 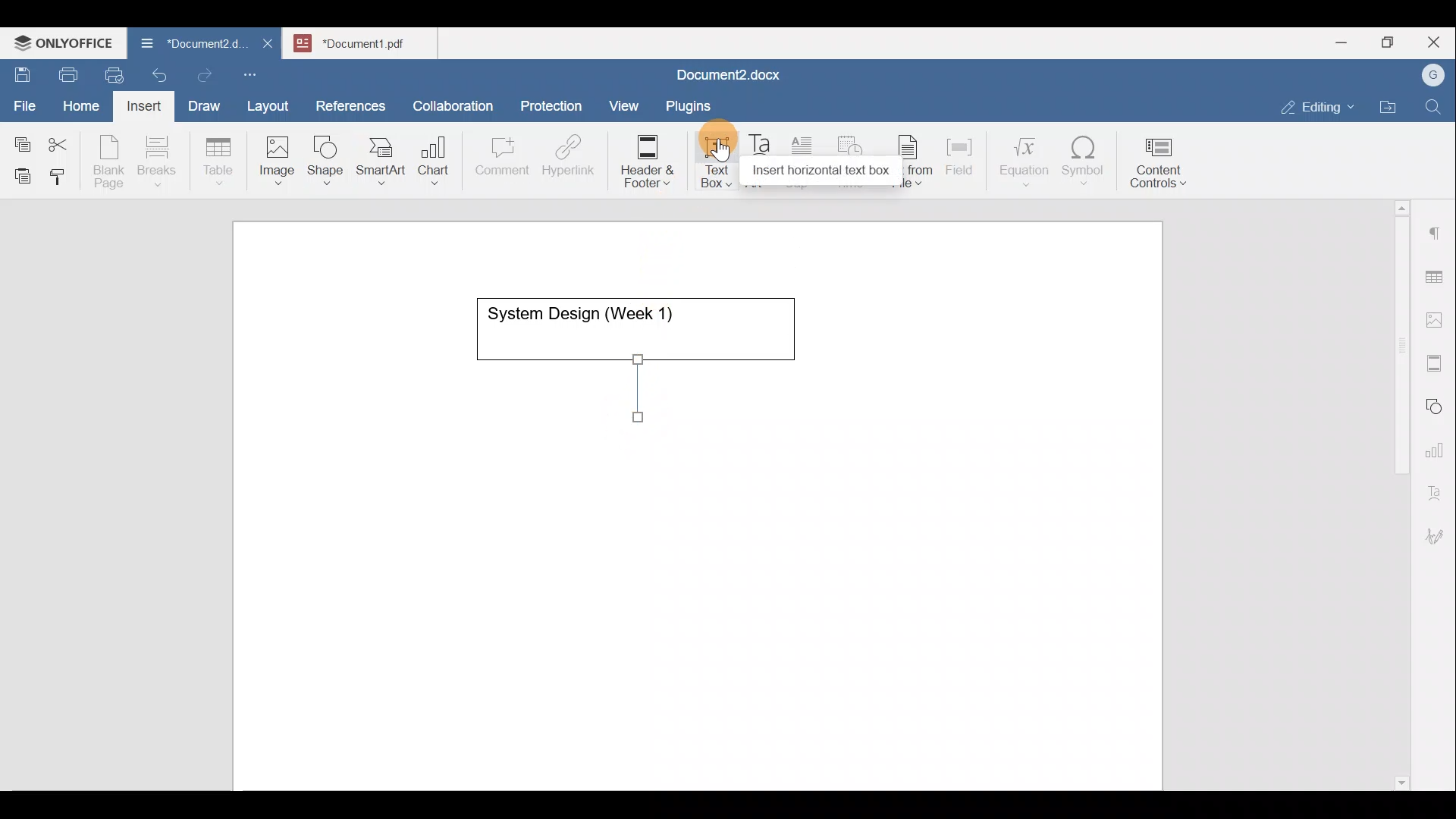 What do you see at coordinates (1437, 404) in the screenshot?
I see `Shapes settings` at bounding box center [1437, 404].